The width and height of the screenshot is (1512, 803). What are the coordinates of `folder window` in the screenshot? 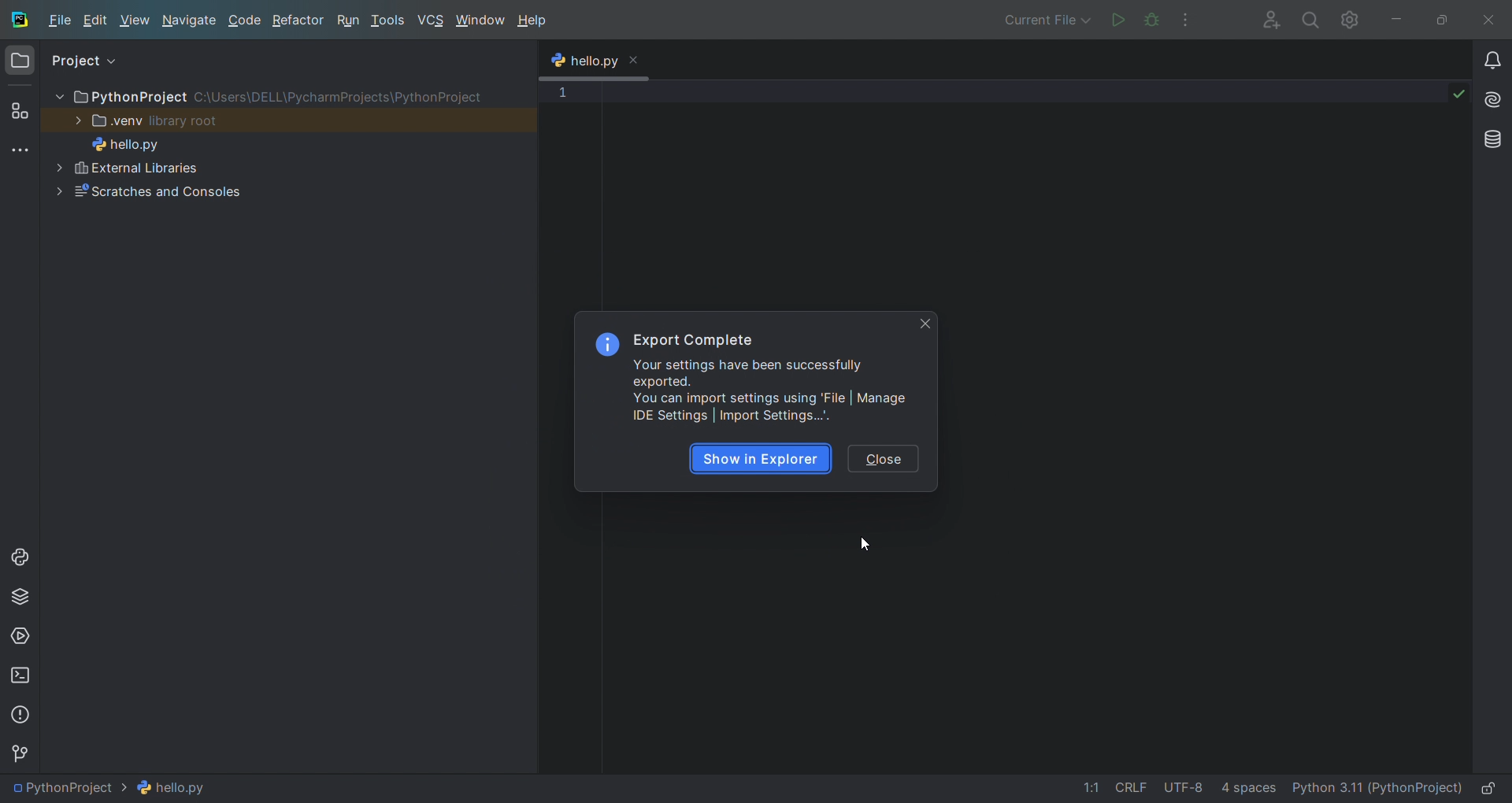 It's located at (20, 65).